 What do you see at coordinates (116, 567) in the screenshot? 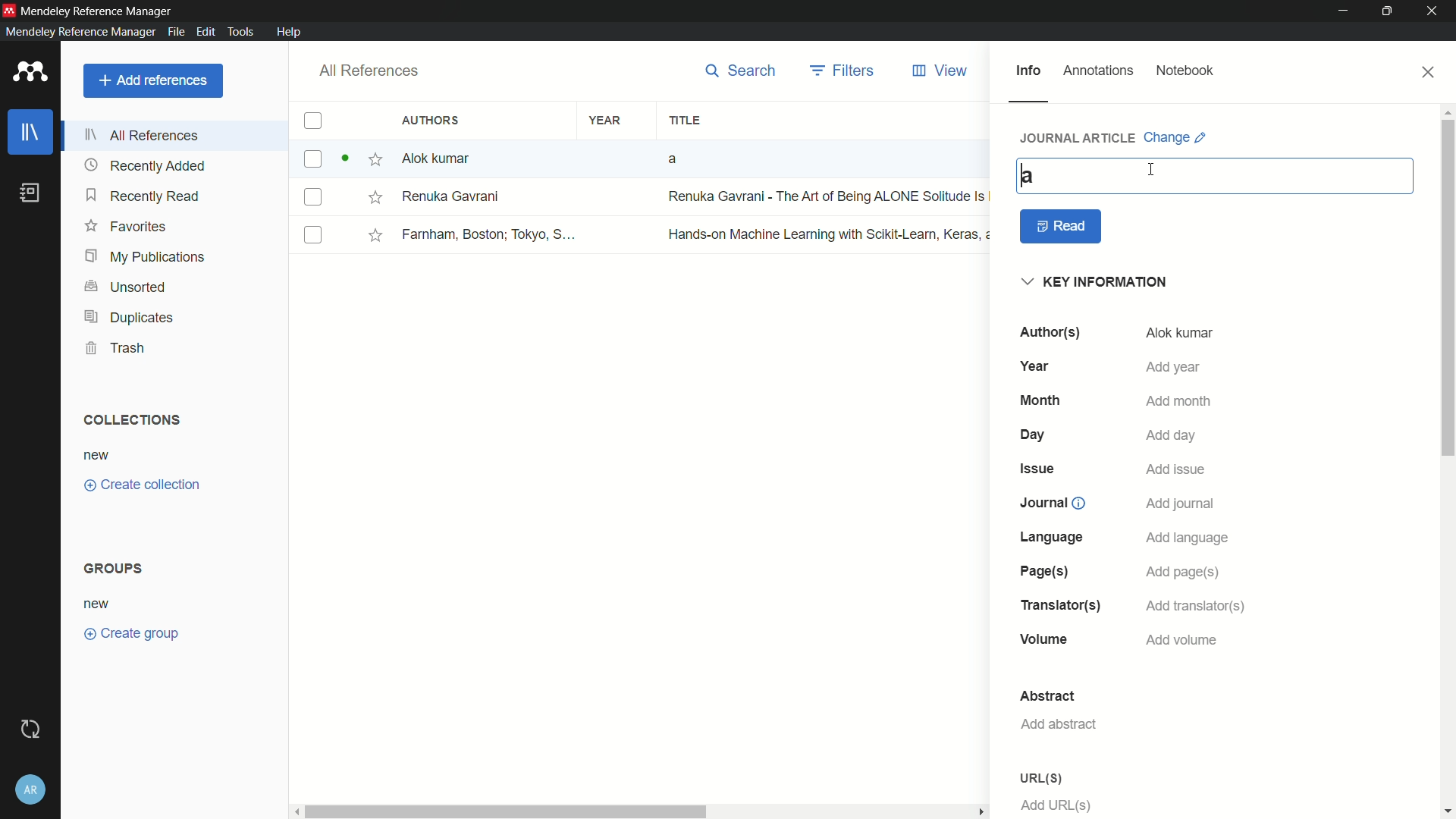
I see `groups` at bounding box center [116, 567].